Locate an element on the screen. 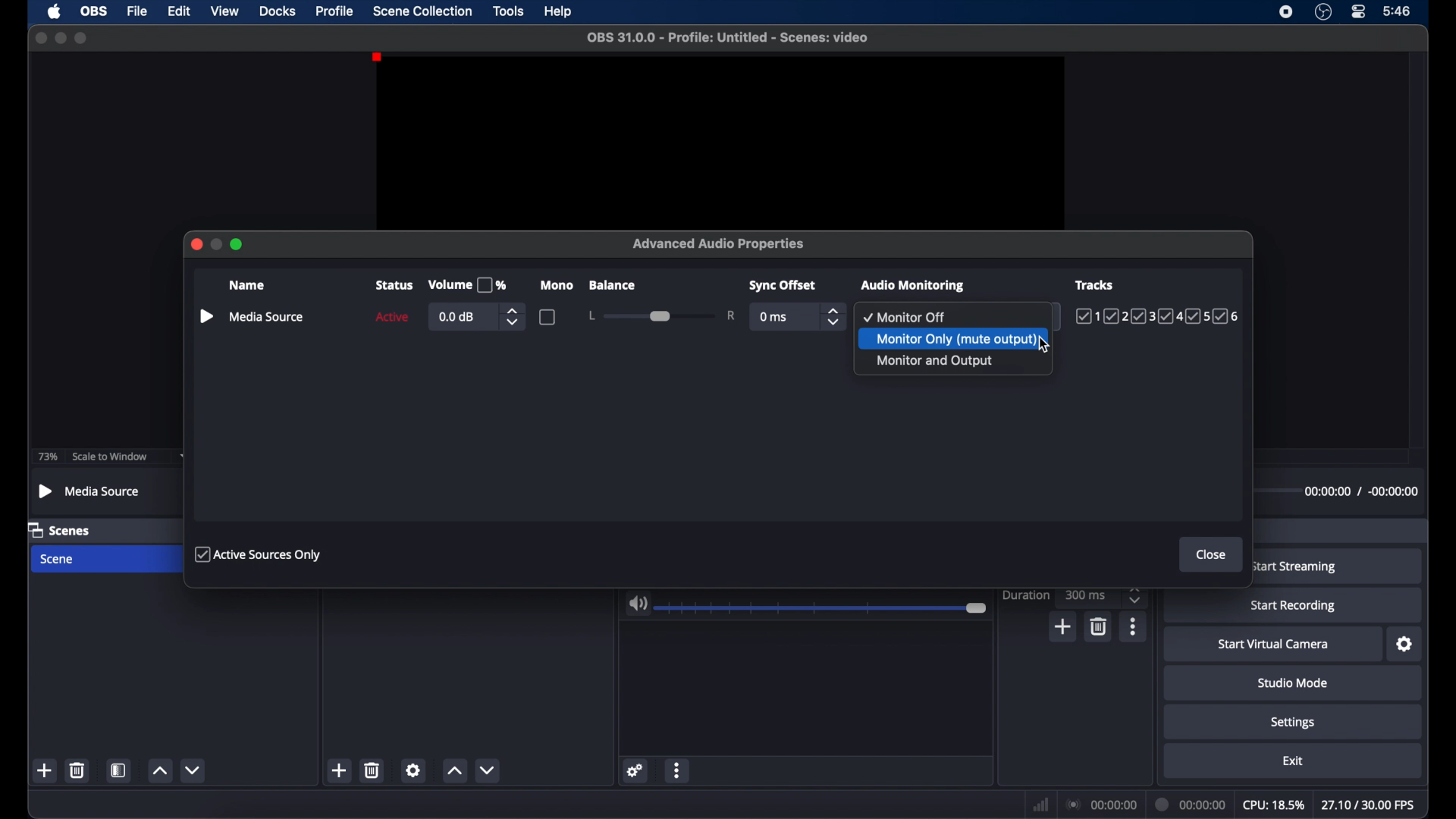 This screenshot has height=819, width=1456. slider is located at coordinates (824, 608).